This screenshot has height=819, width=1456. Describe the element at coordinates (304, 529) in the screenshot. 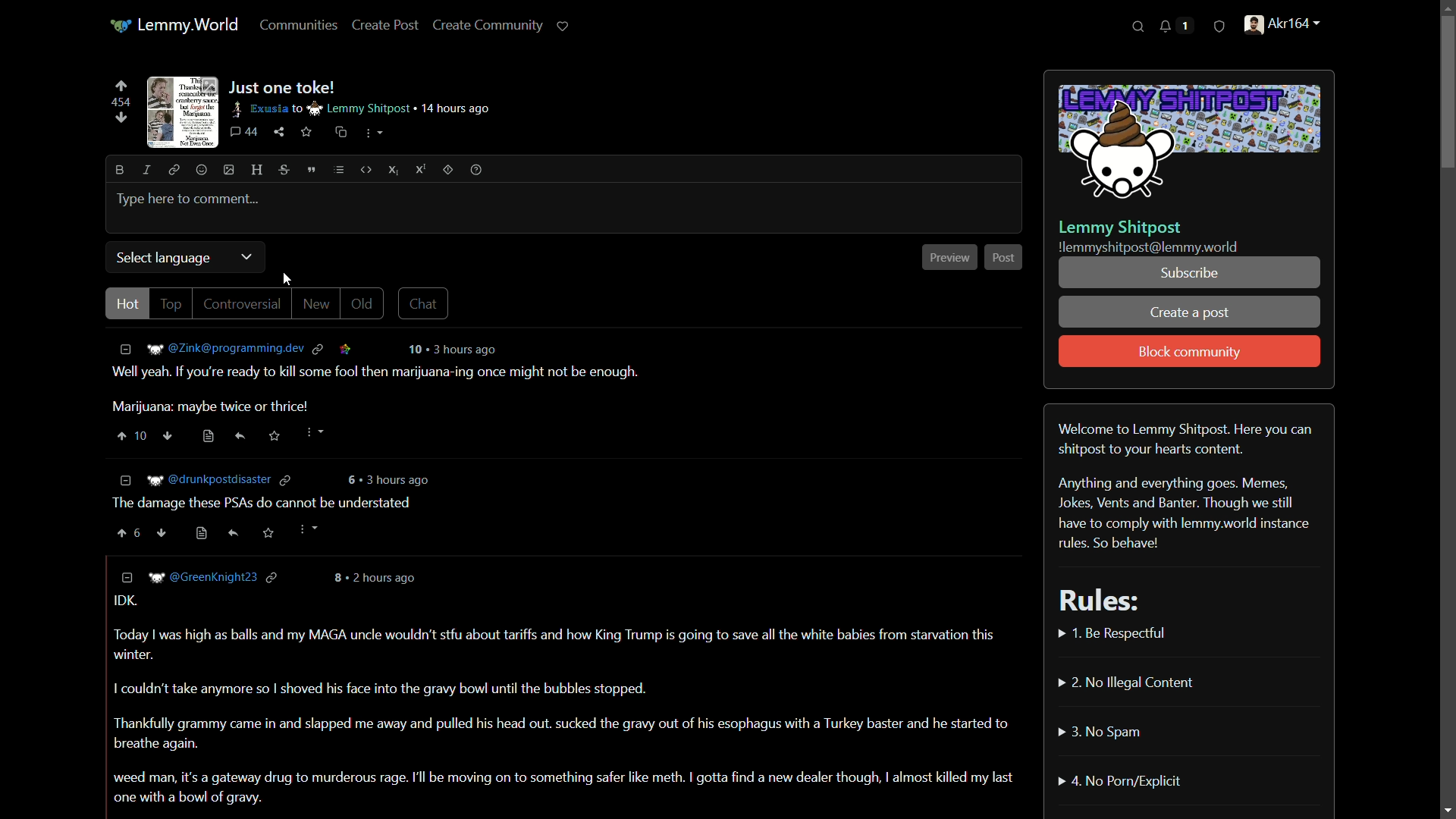

I see `more actions` at that location.